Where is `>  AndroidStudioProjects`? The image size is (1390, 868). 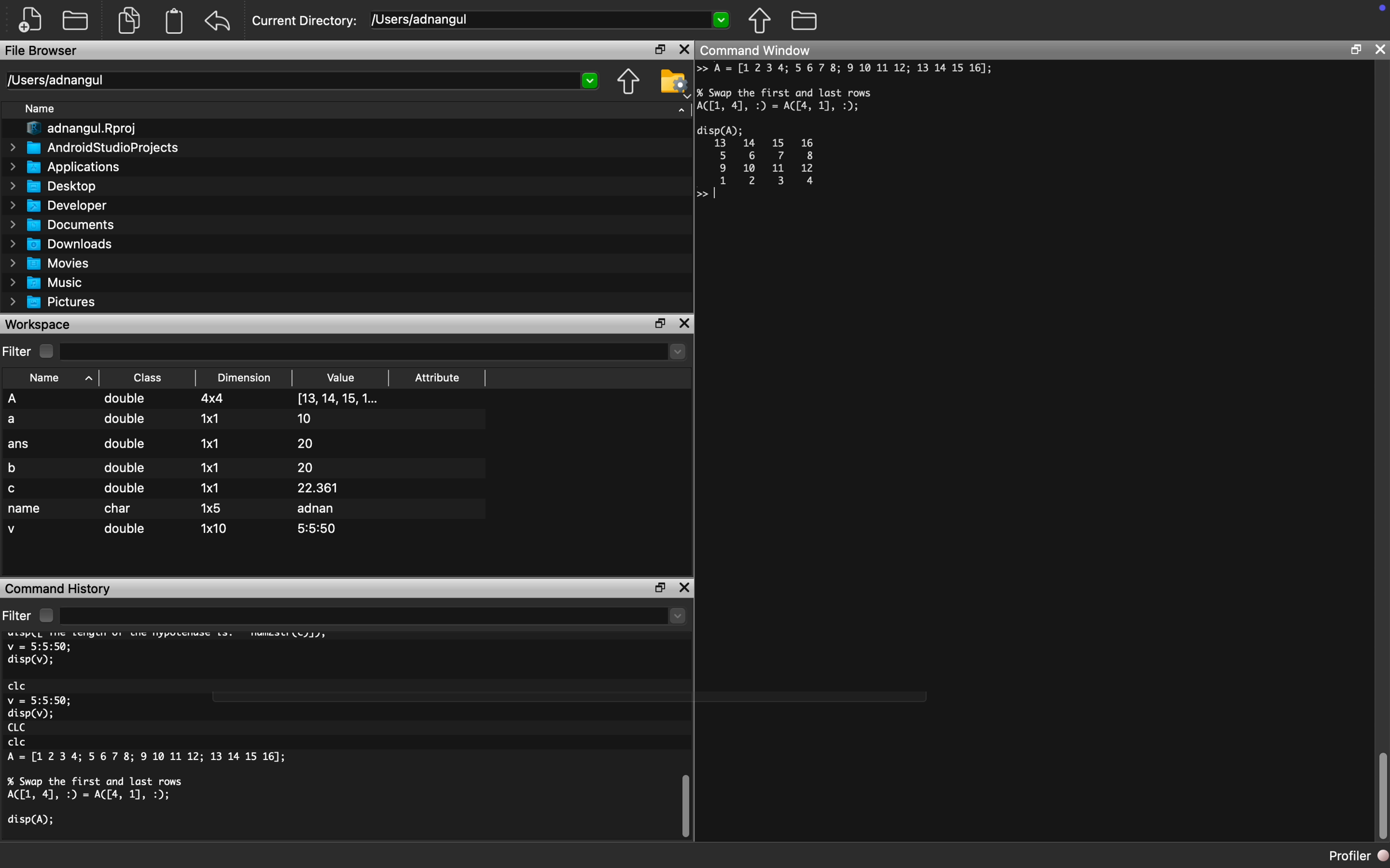 >  AndroidStudioProjects is located at coordinates (94, 149).